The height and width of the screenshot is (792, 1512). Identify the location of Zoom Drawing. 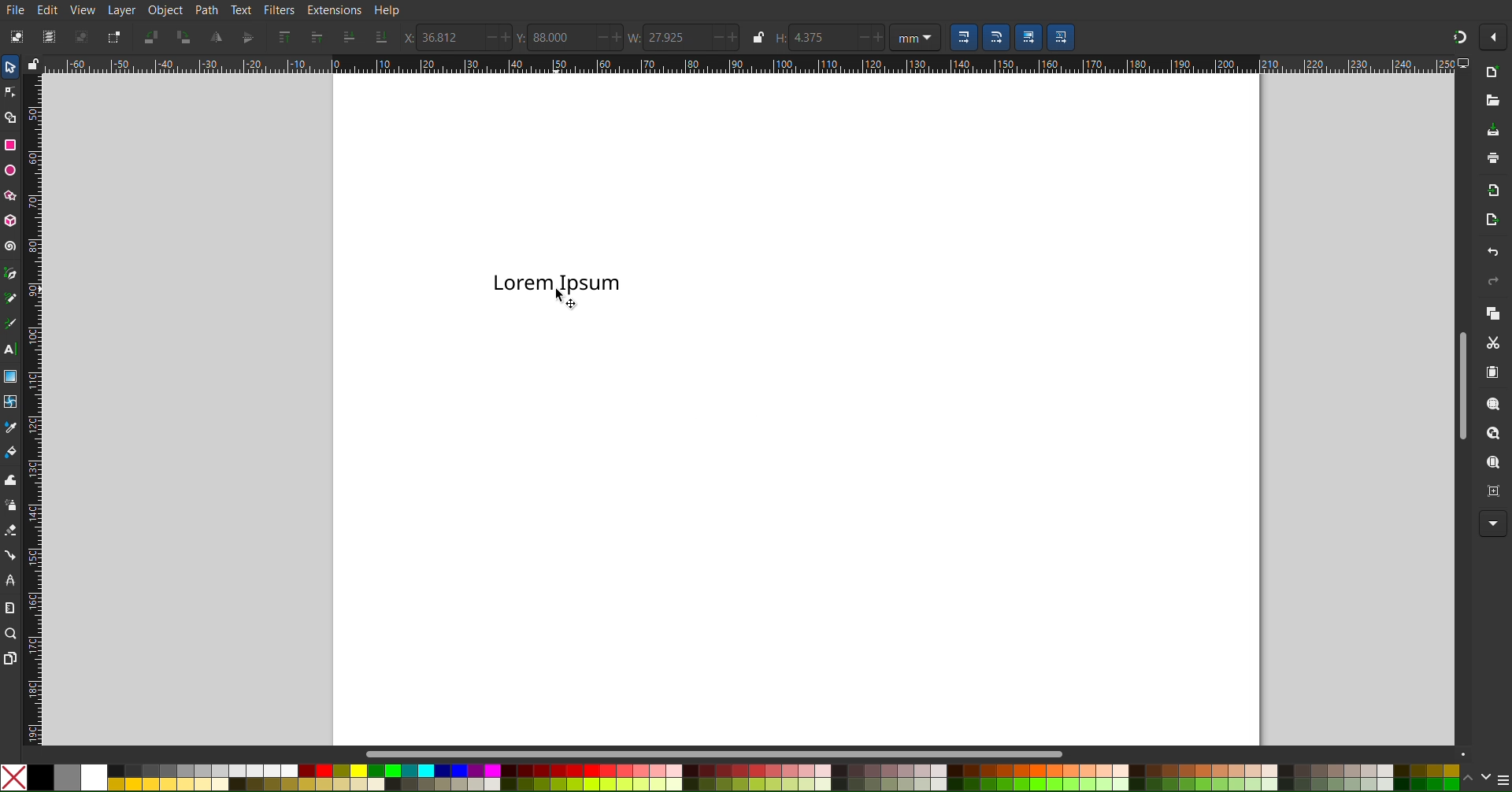
(1493, 433).